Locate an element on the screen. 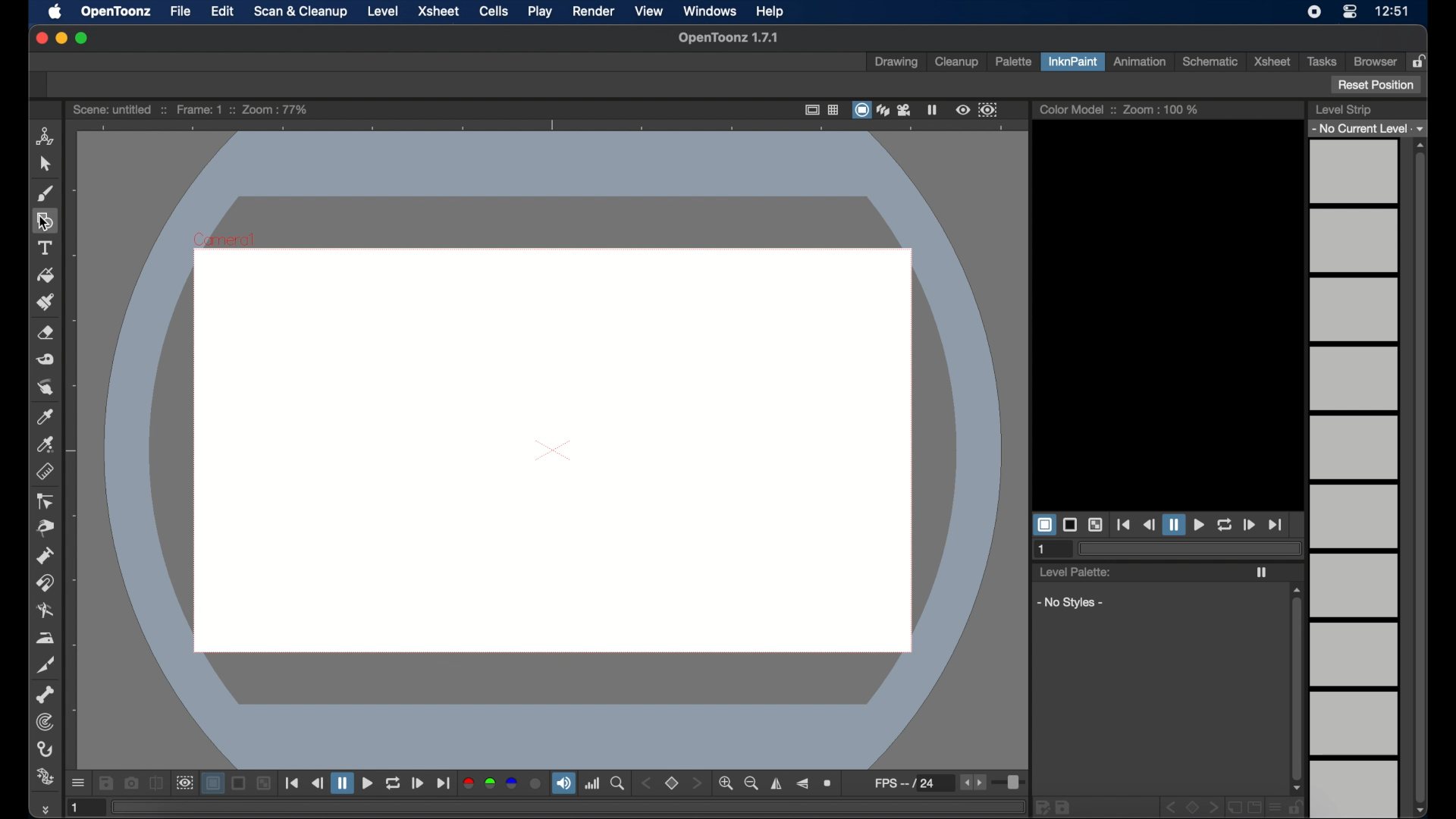 The image size is (1456, 819). scroll box is located at coordinates (1420, 477).